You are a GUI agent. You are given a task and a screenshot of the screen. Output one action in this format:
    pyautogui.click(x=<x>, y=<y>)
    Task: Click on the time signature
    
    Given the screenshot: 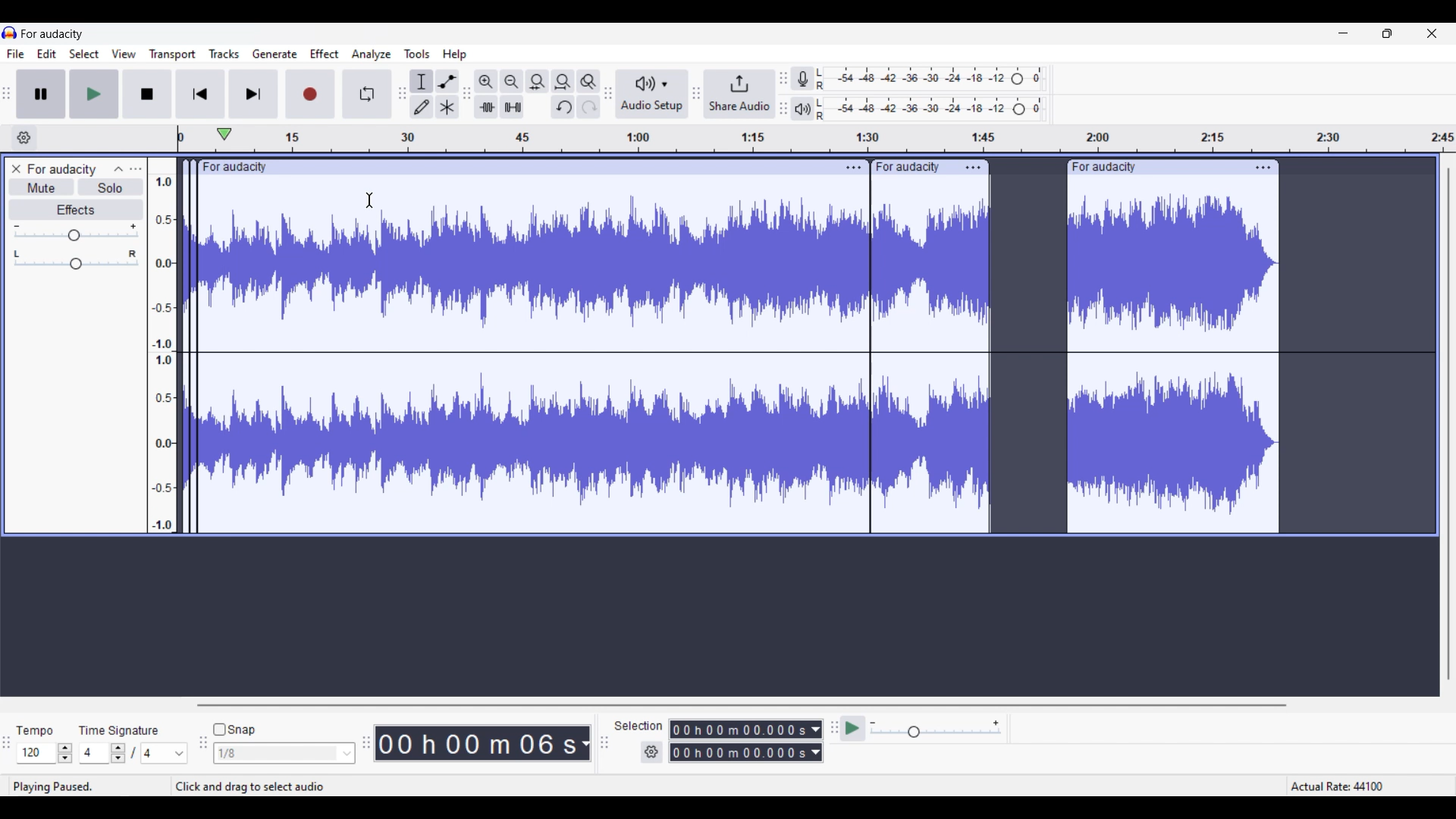 What is the action you would take?
    pyautogui.click(x=119, y=730)
    